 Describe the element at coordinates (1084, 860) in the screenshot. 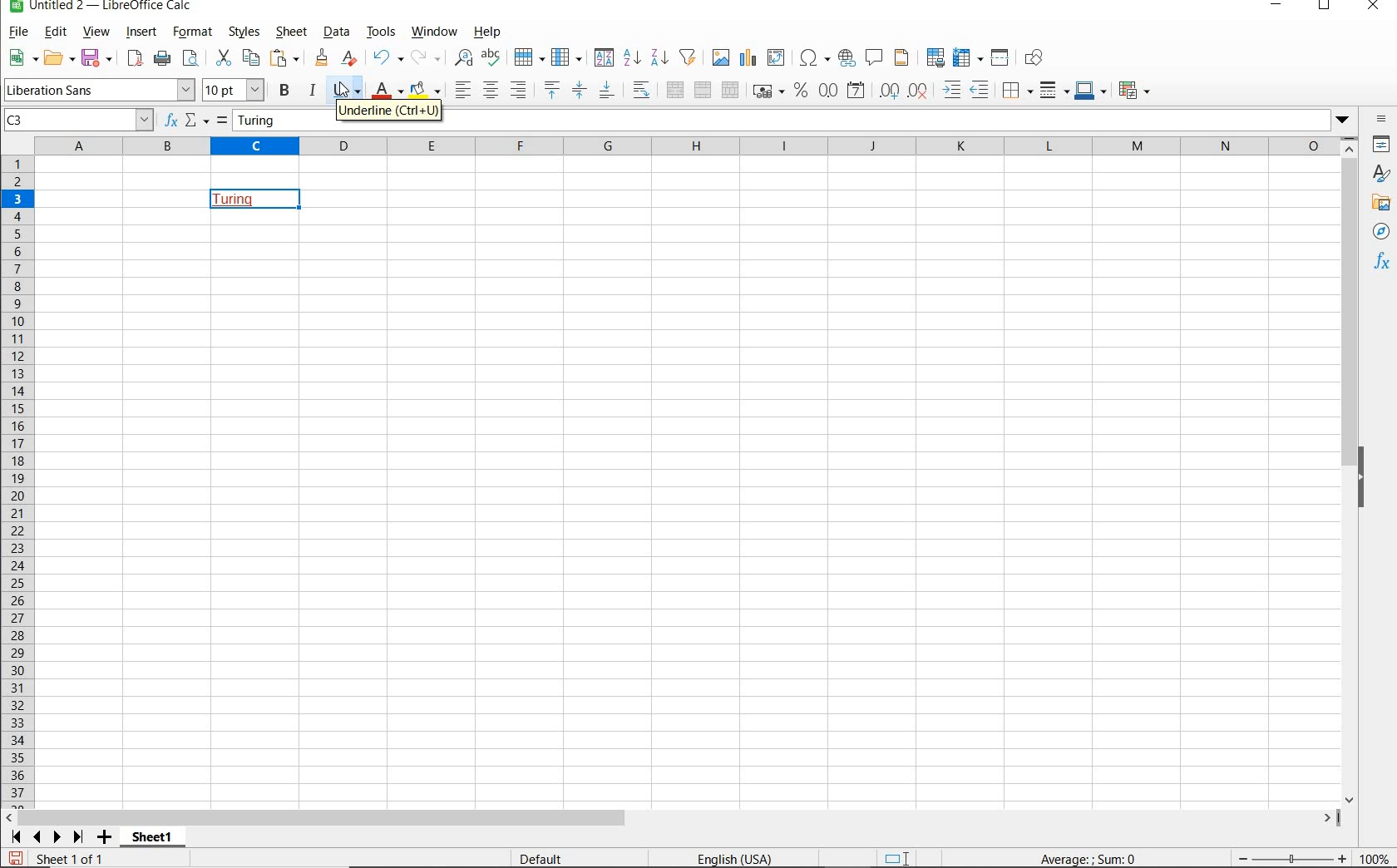

I see `FORMULA` at that location.